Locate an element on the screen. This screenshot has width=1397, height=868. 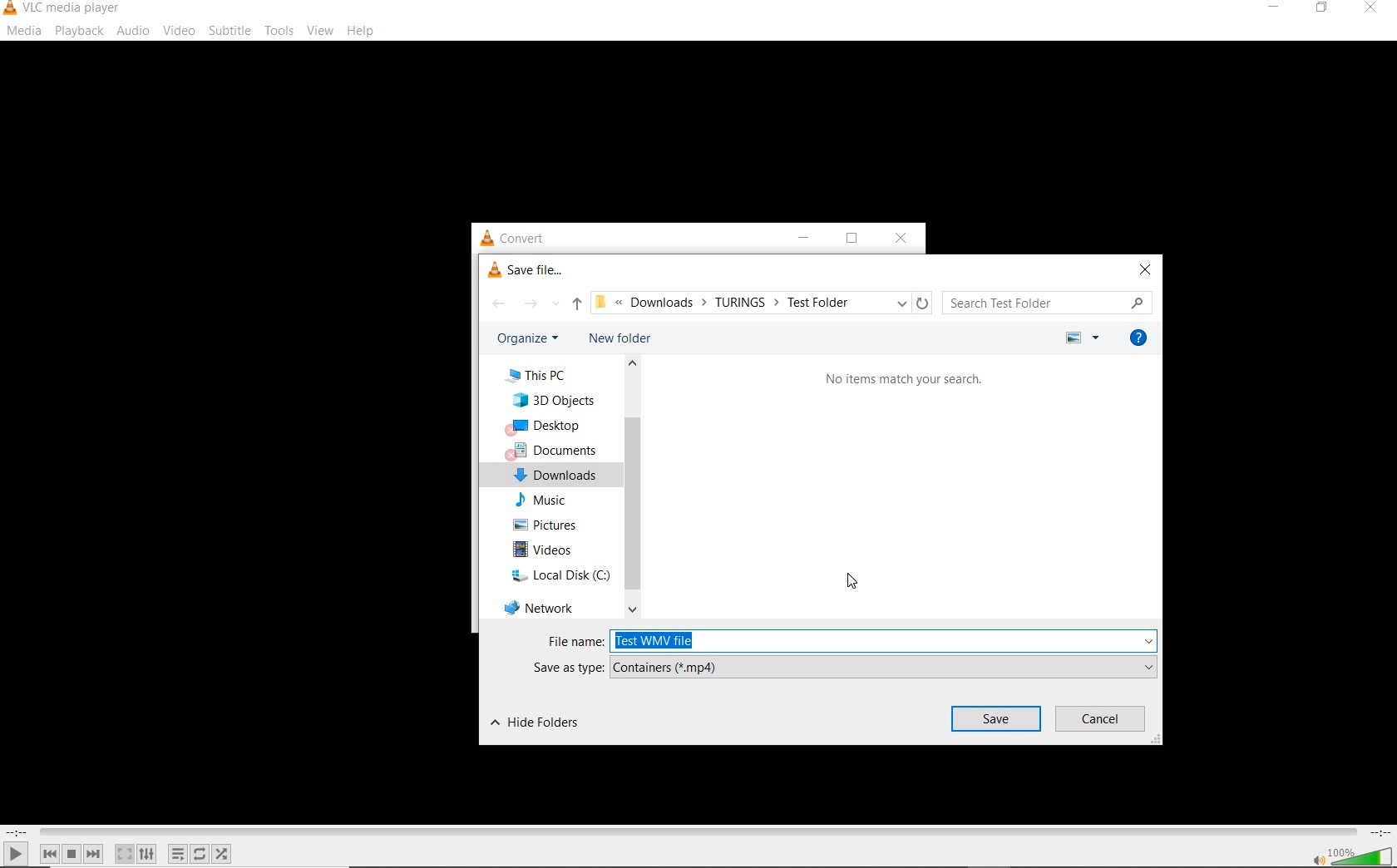
tools is located at coordinates (278, 28).